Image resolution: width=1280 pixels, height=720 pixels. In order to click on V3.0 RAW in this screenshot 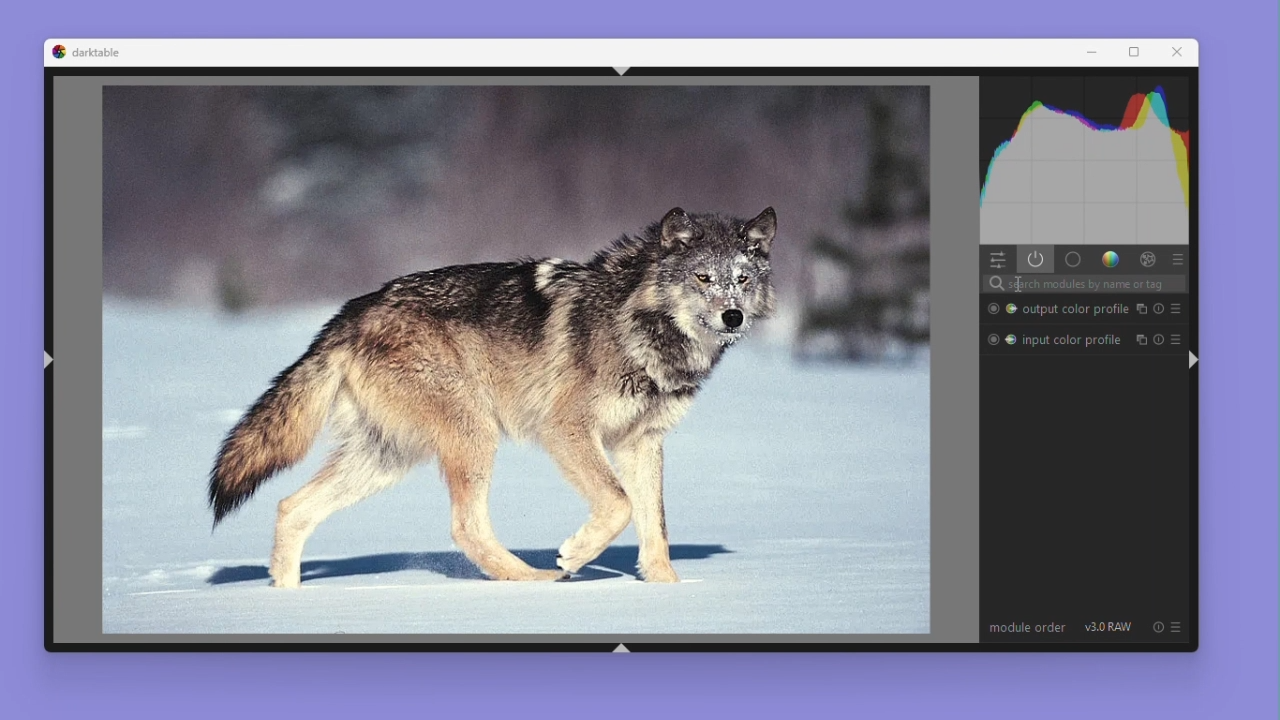, I will do `click(1108, 628)`.